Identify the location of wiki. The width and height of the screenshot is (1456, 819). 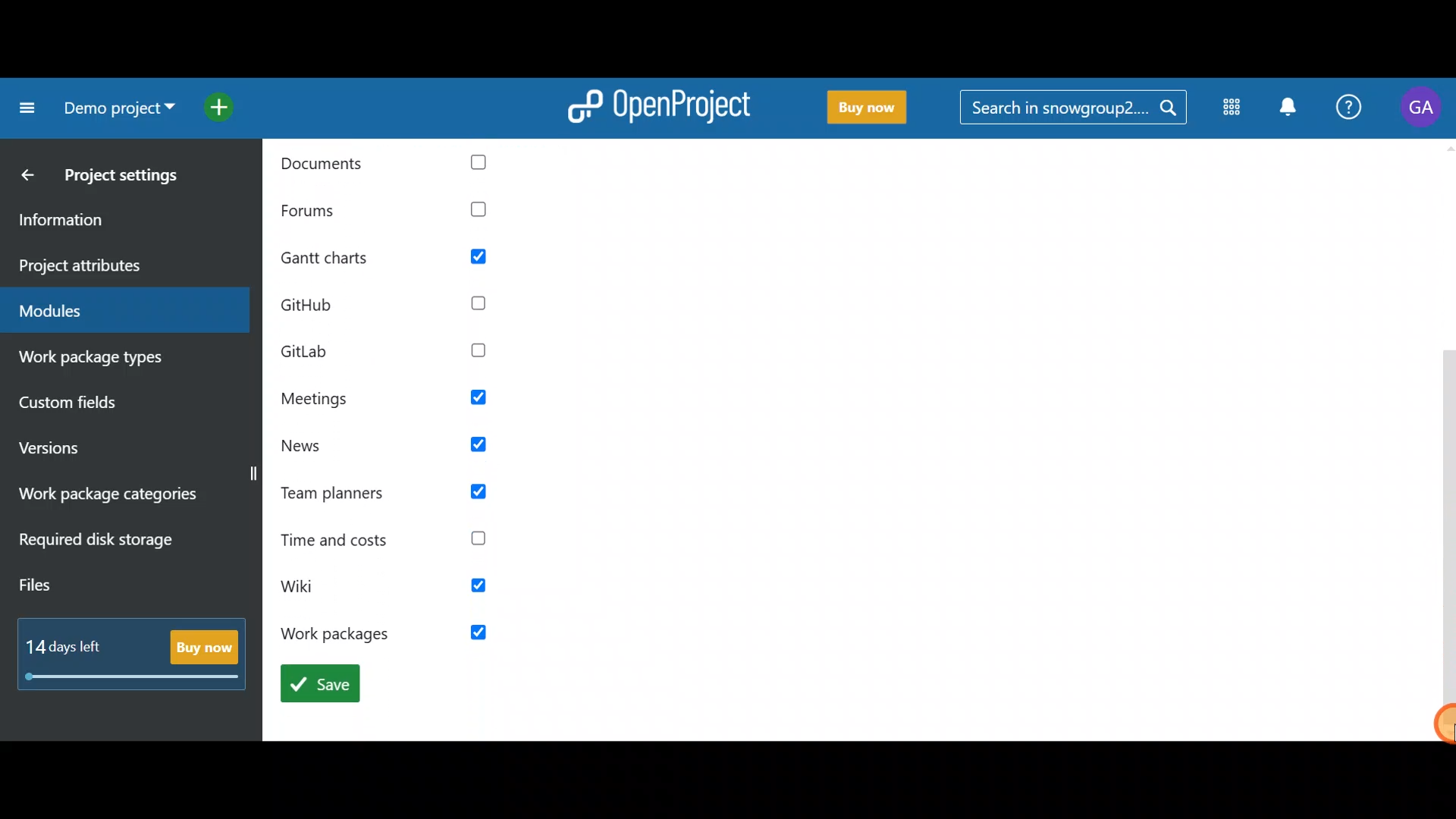
(394, 588).